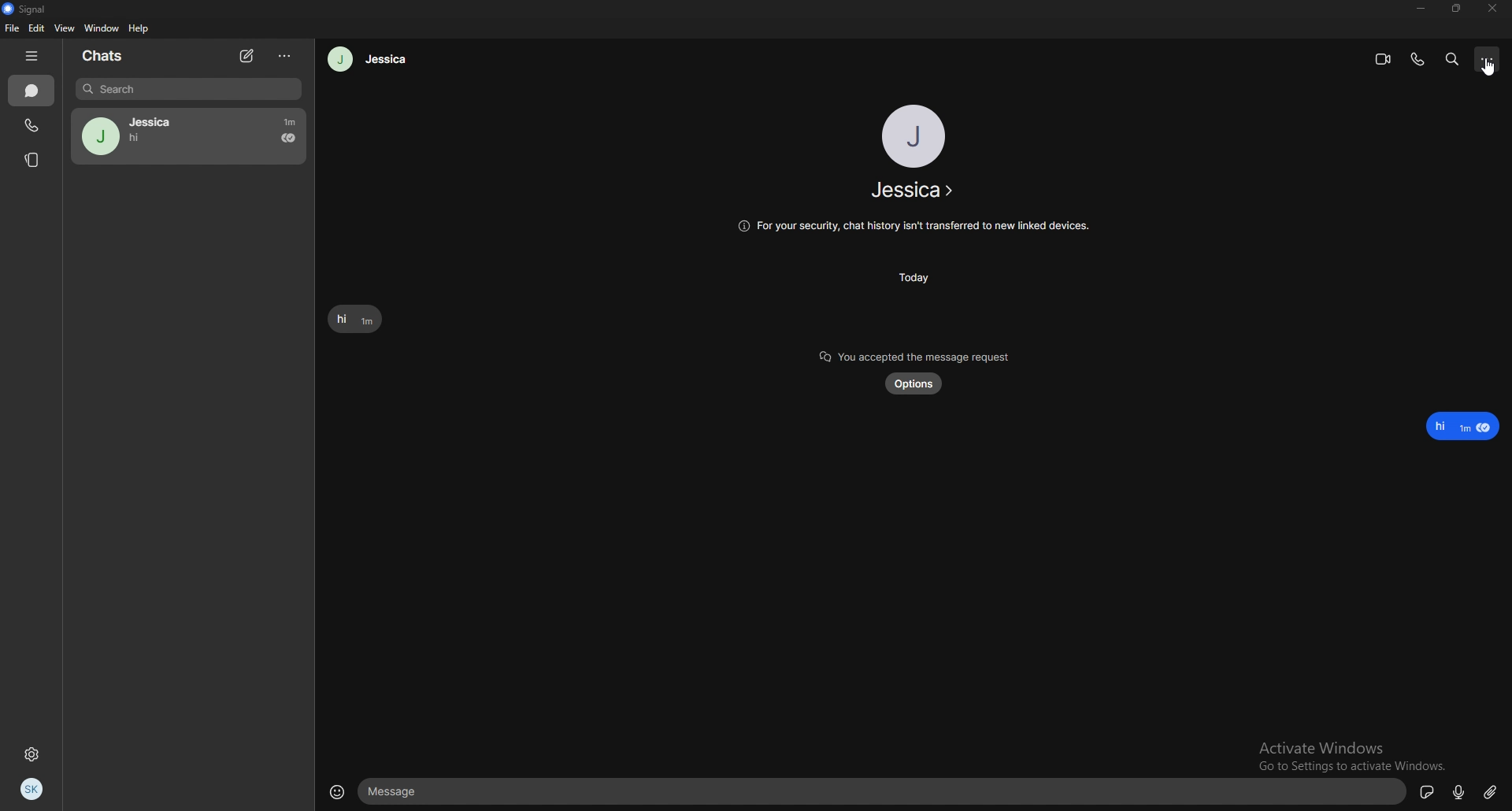 The image size is (1512, 811). What do you see at coordinates (111, 55) in the screenshot?
I see `chats` at bounding box center [111, 55].